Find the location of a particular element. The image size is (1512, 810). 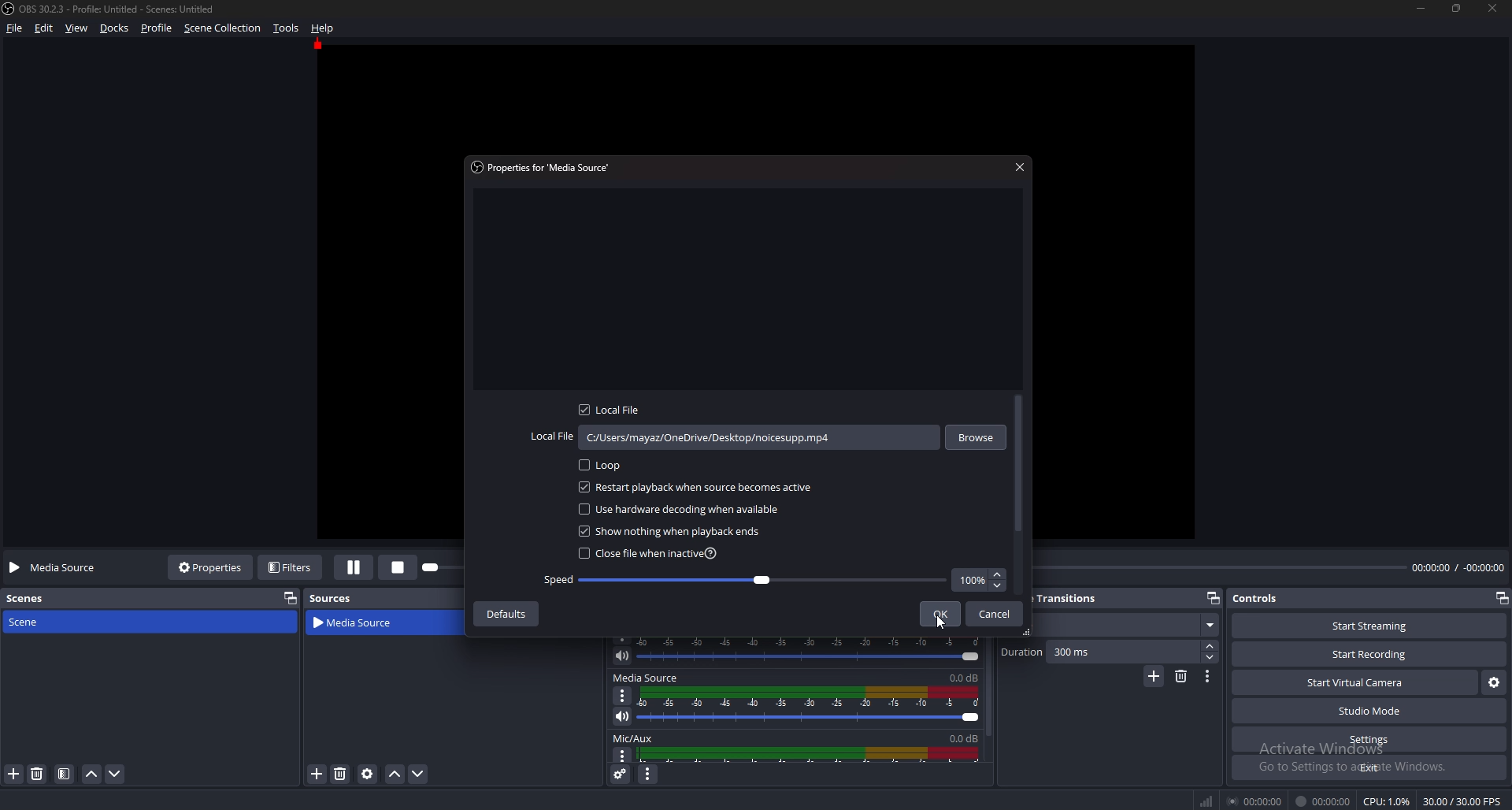

Profile is located at coordinates (156, 28).